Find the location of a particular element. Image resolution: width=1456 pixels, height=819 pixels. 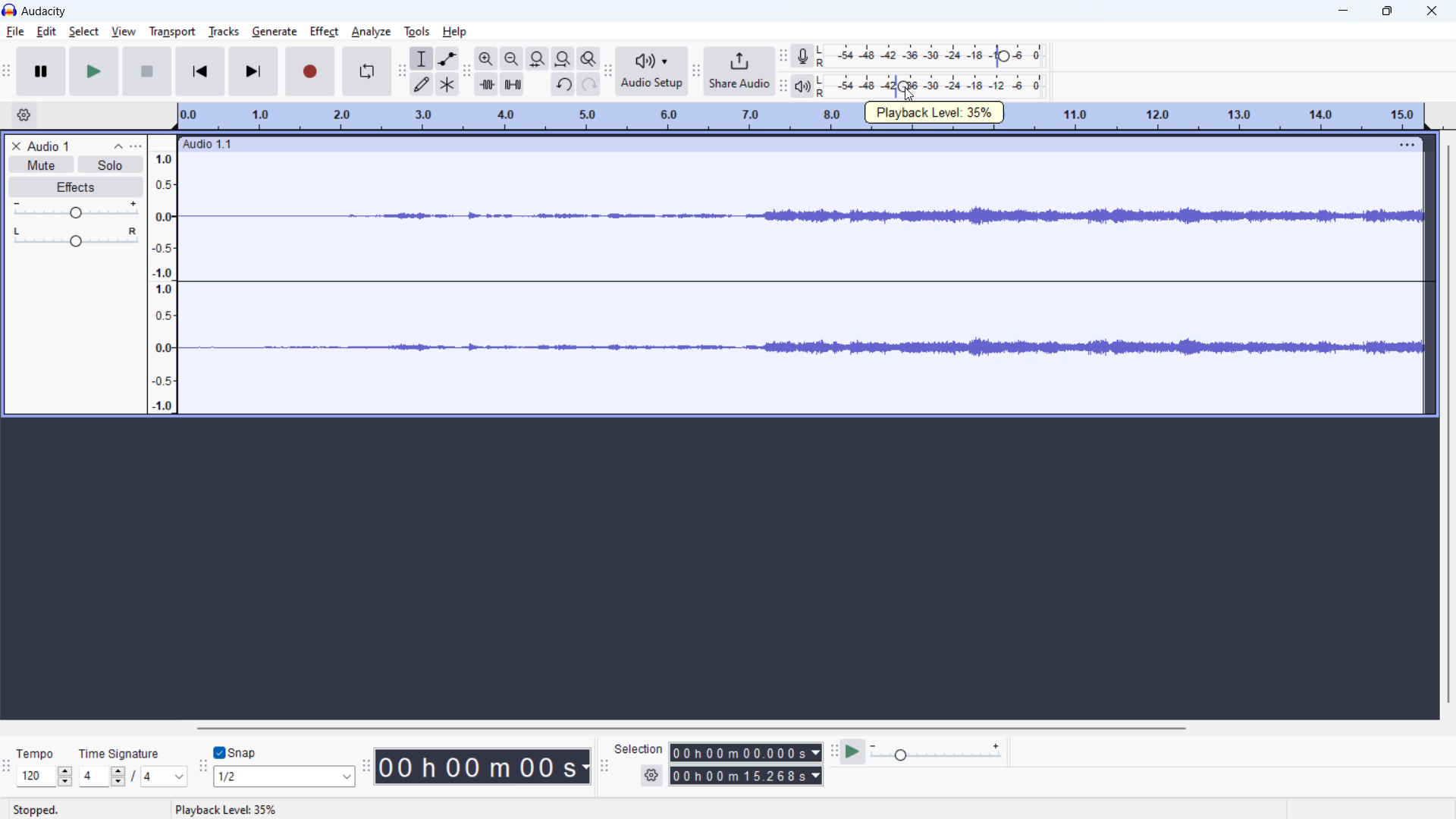

Tempo is located at coordinates (39, 752).